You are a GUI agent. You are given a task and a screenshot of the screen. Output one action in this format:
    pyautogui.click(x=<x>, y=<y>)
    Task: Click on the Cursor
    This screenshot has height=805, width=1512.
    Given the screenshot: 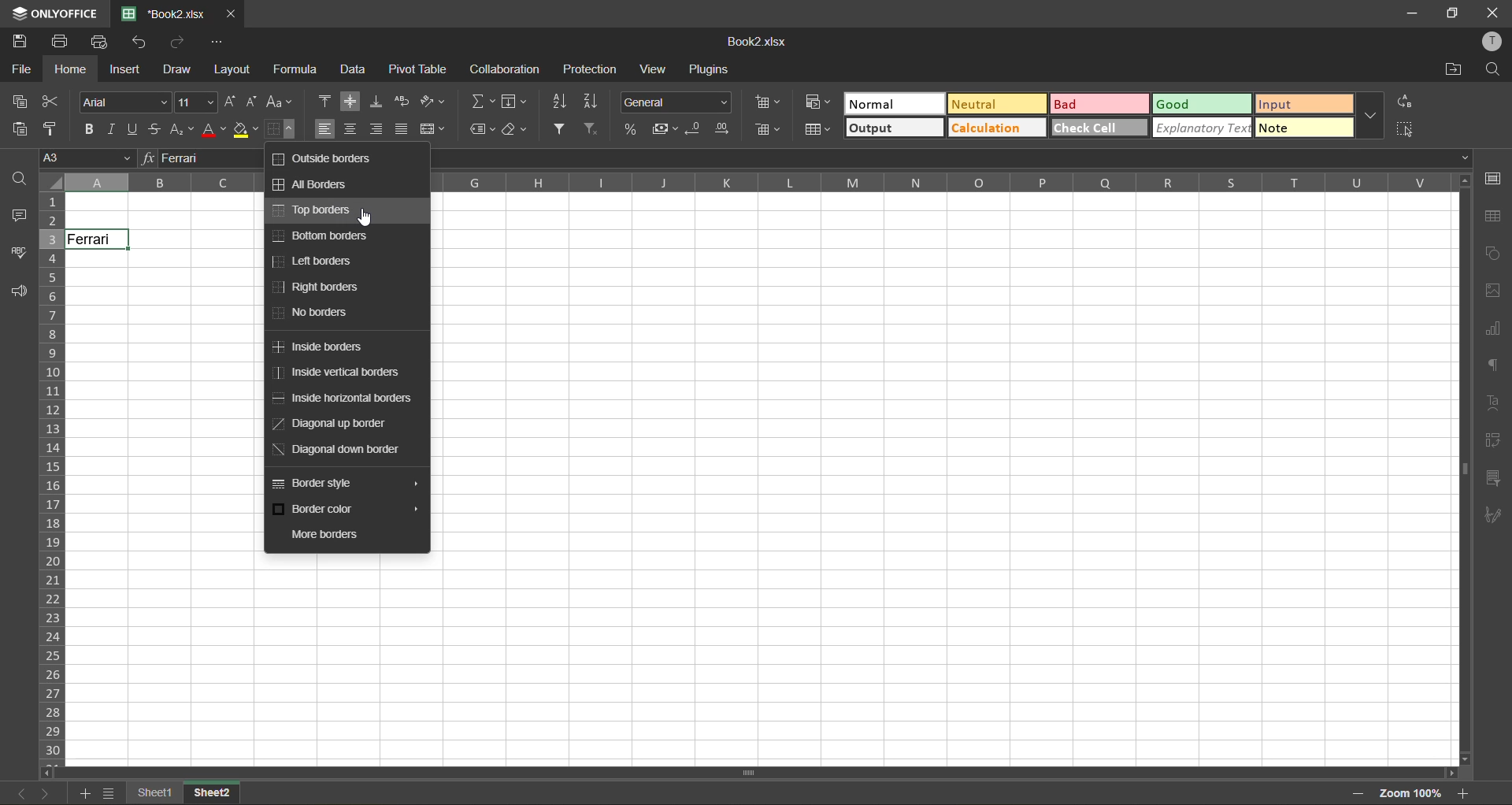 What is the action you would take?
    pyautogui.click(x=372, y=218)
    